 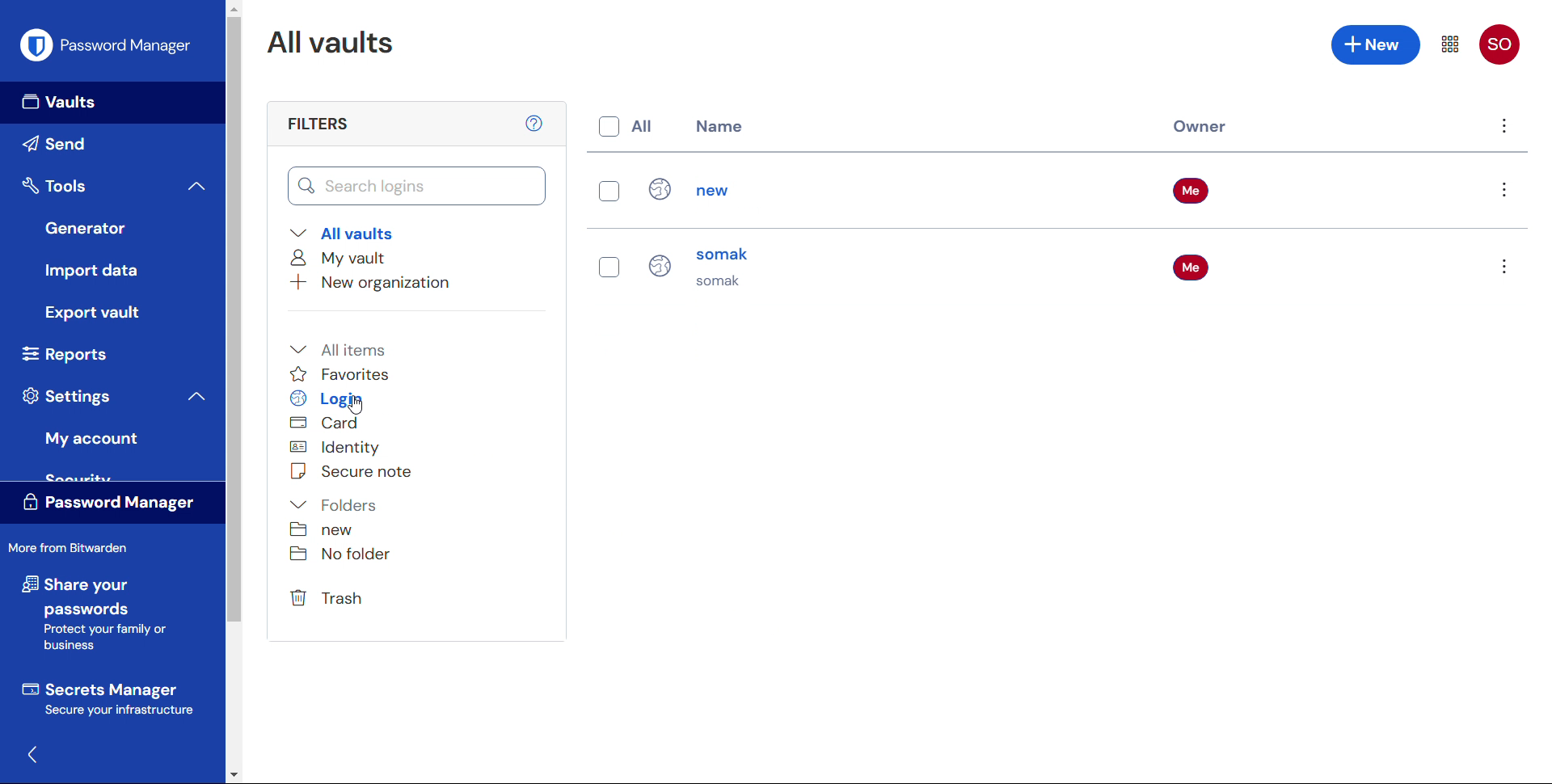 I want to click on Somak somak, so click(x=723, y=267).